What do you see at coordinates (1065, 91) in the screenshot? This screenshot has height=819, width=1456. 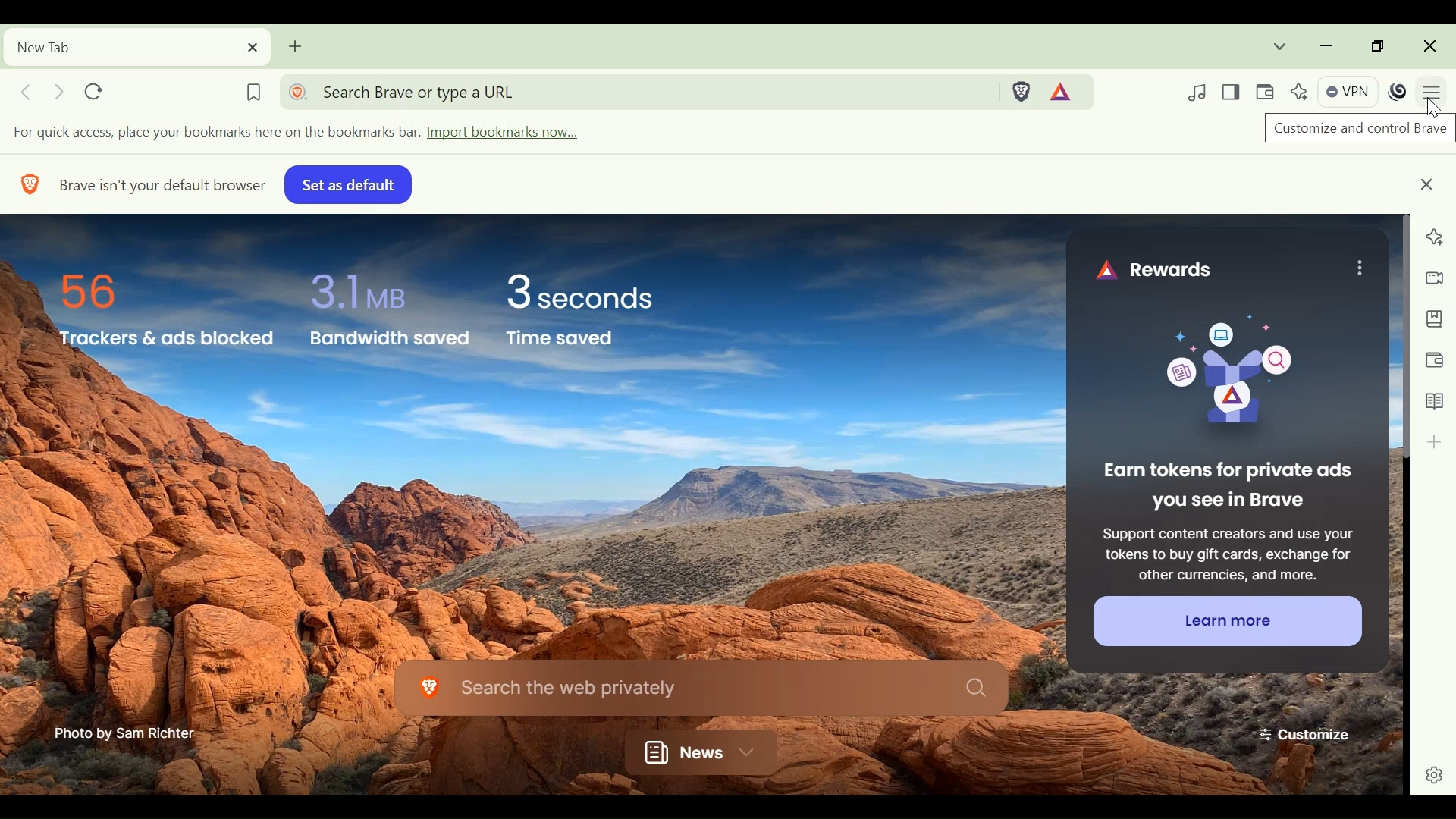 I see `Tokens` at bounding box center [1065, 91].